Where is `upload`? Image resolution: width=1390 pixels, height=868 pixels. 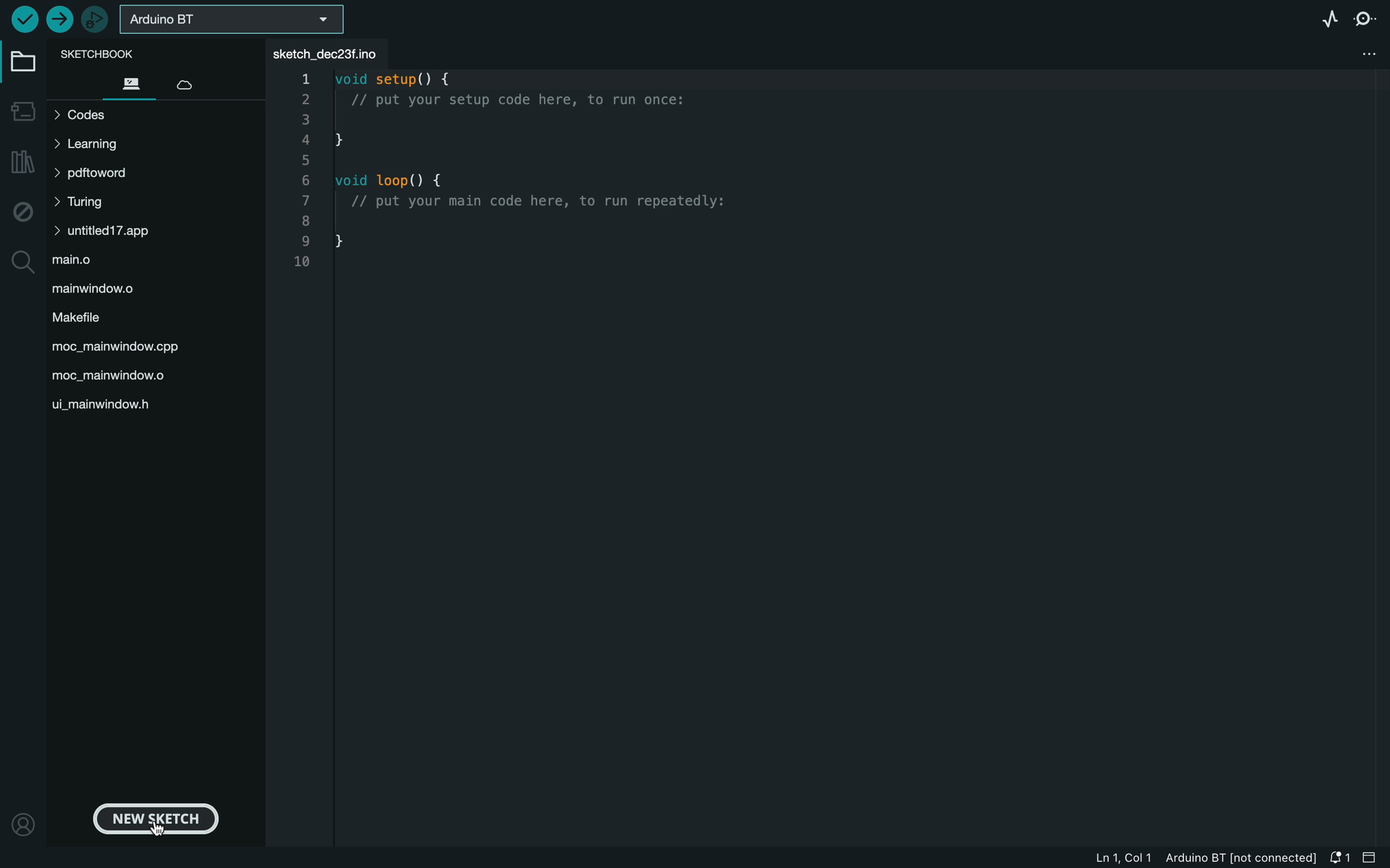
upload is located at coordinates (61, 19).